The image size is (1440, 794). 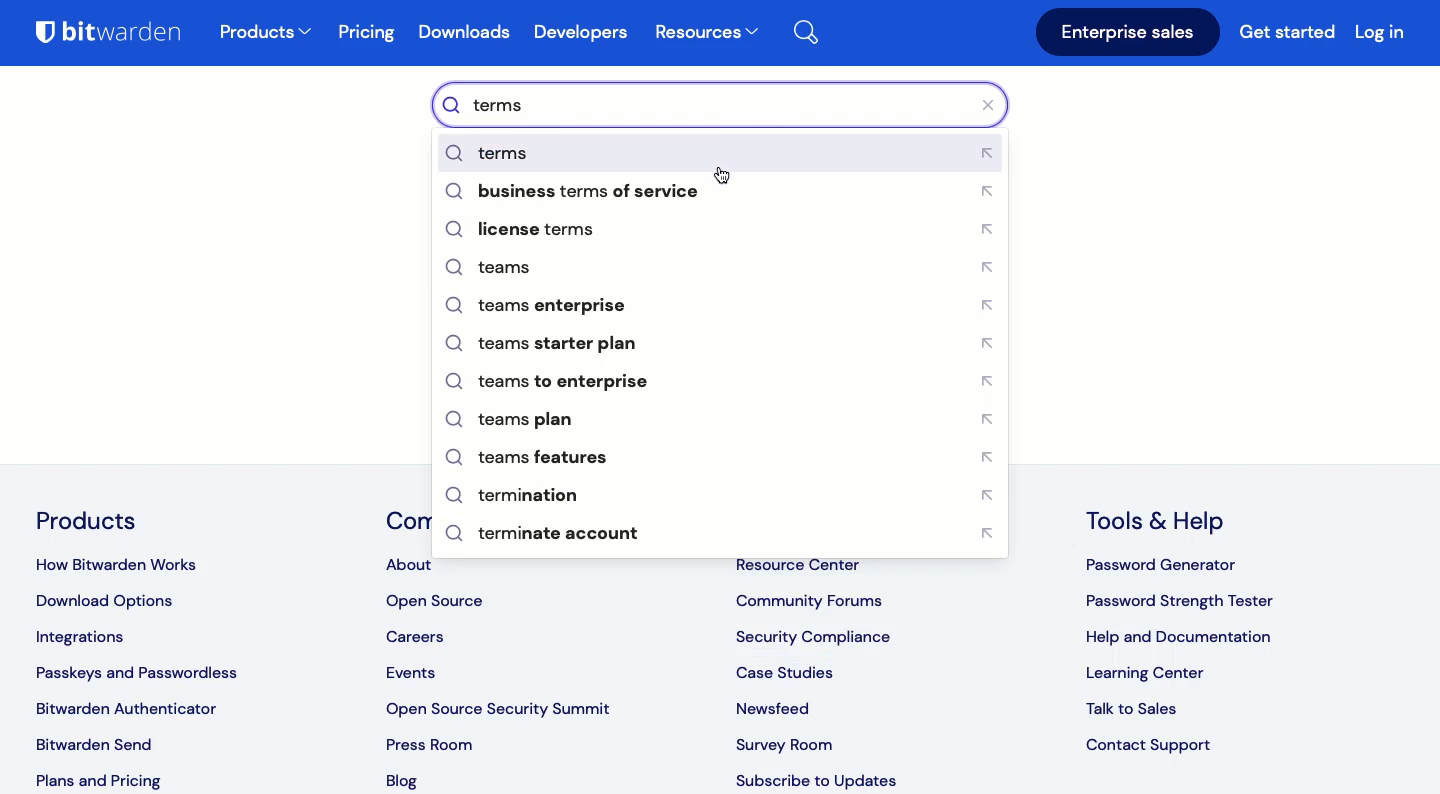 I want to click on talk to sales, so click(x=1141, y=709).